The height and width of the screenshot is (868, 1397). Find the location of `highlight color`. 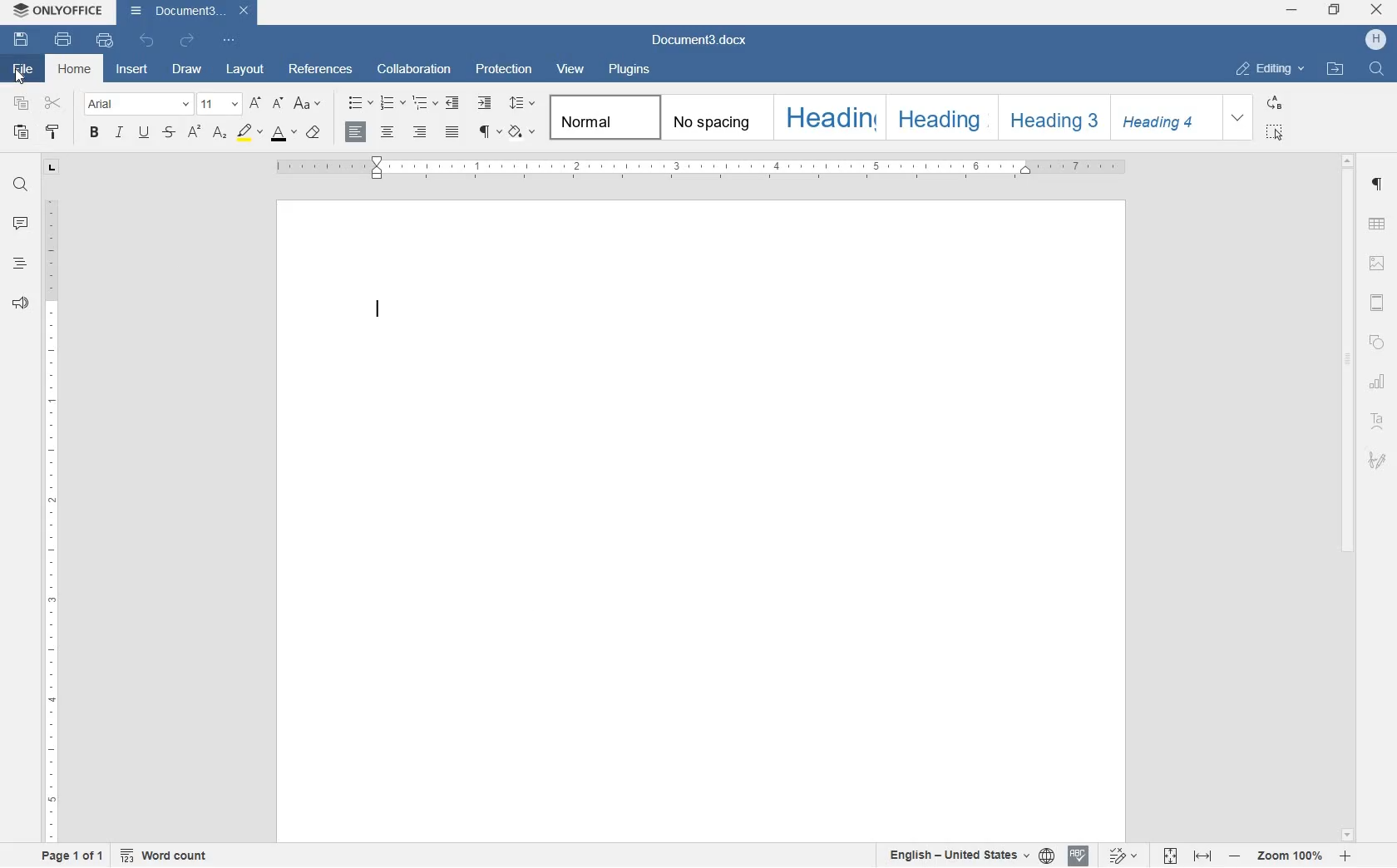

highlight color is located at coordinates (250, 131).